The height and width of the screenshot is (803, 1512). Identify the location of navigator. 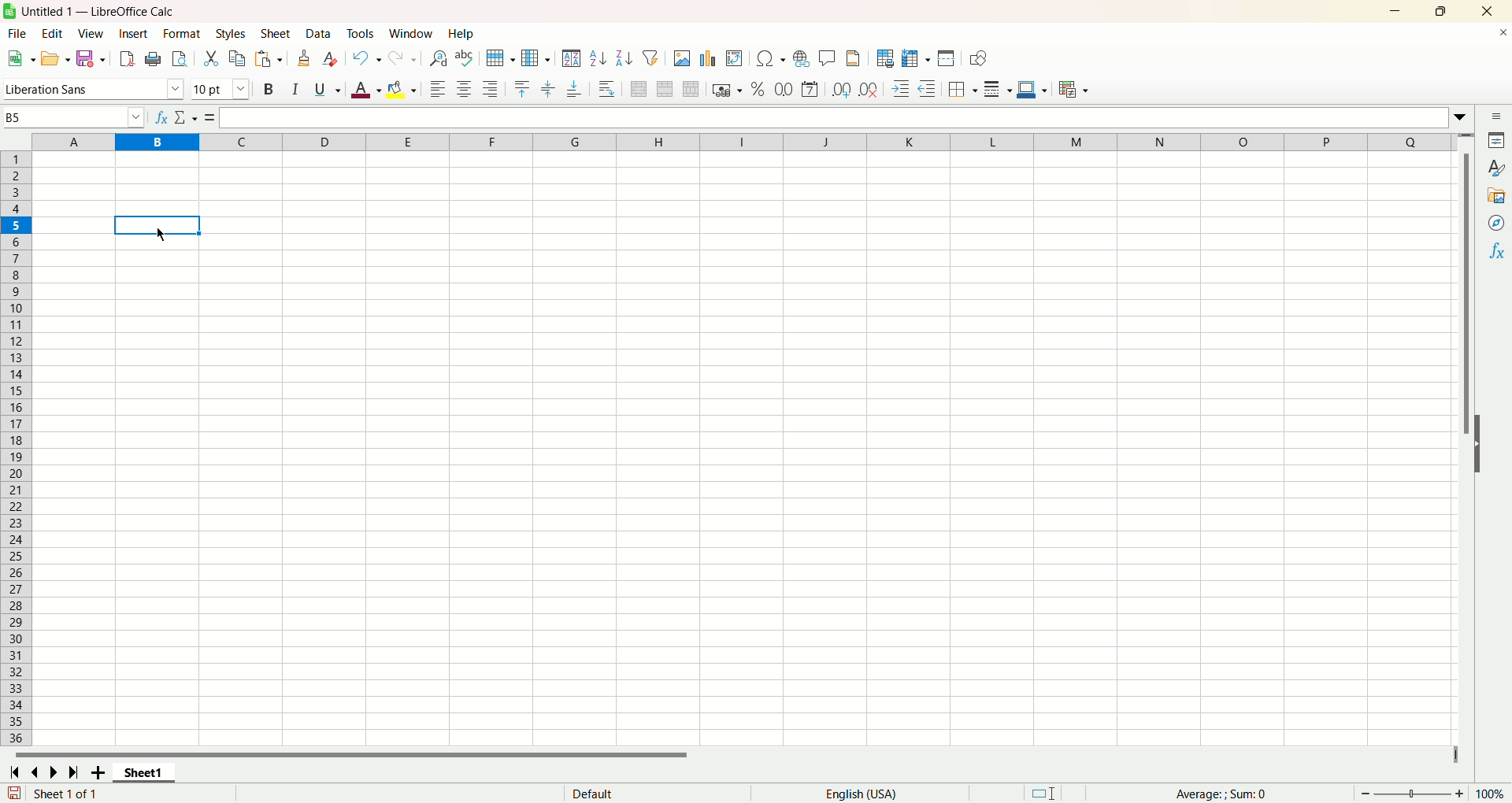
(1498, 223).